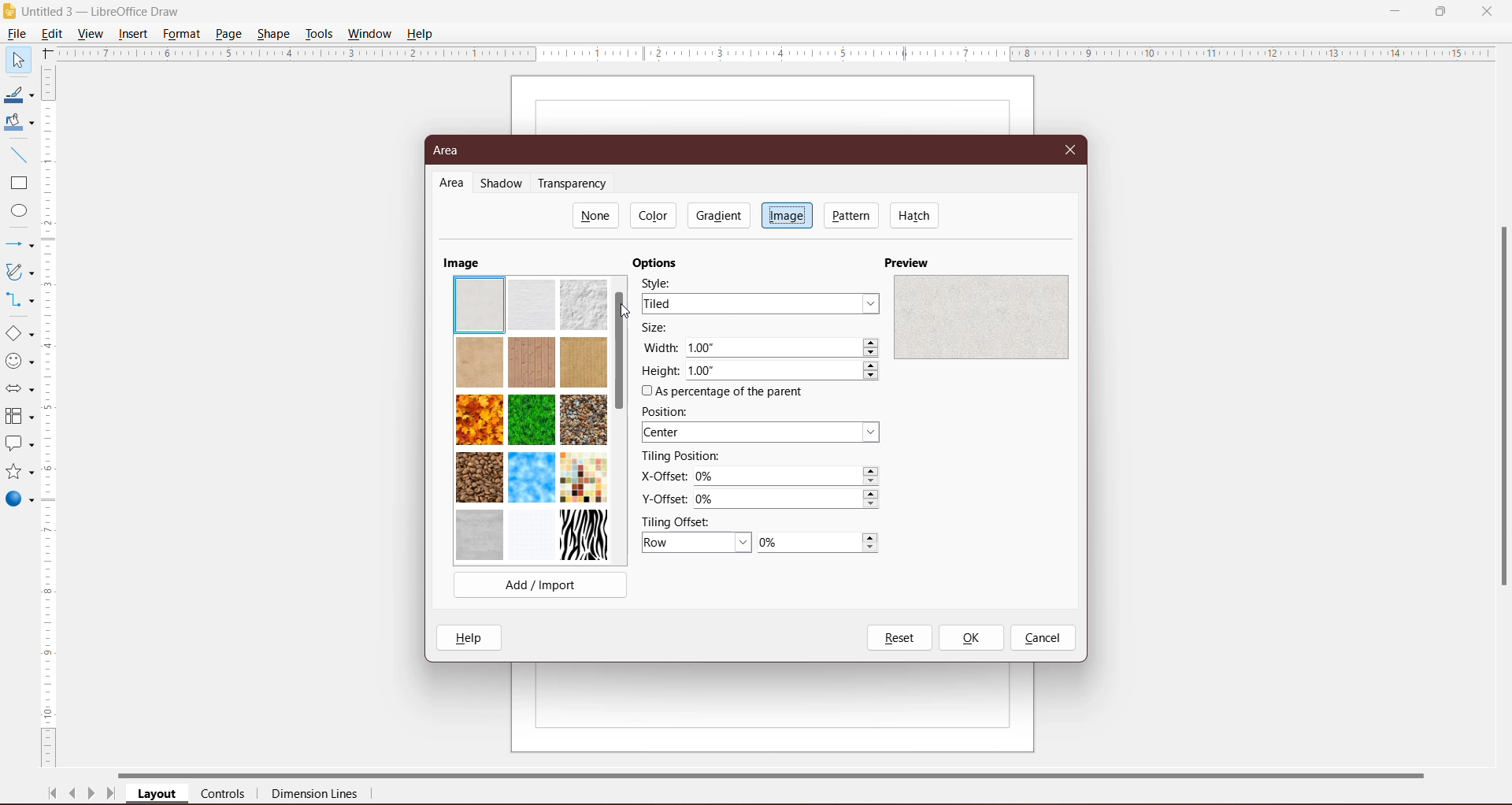  I want to click on Preview, so click(910, 262).